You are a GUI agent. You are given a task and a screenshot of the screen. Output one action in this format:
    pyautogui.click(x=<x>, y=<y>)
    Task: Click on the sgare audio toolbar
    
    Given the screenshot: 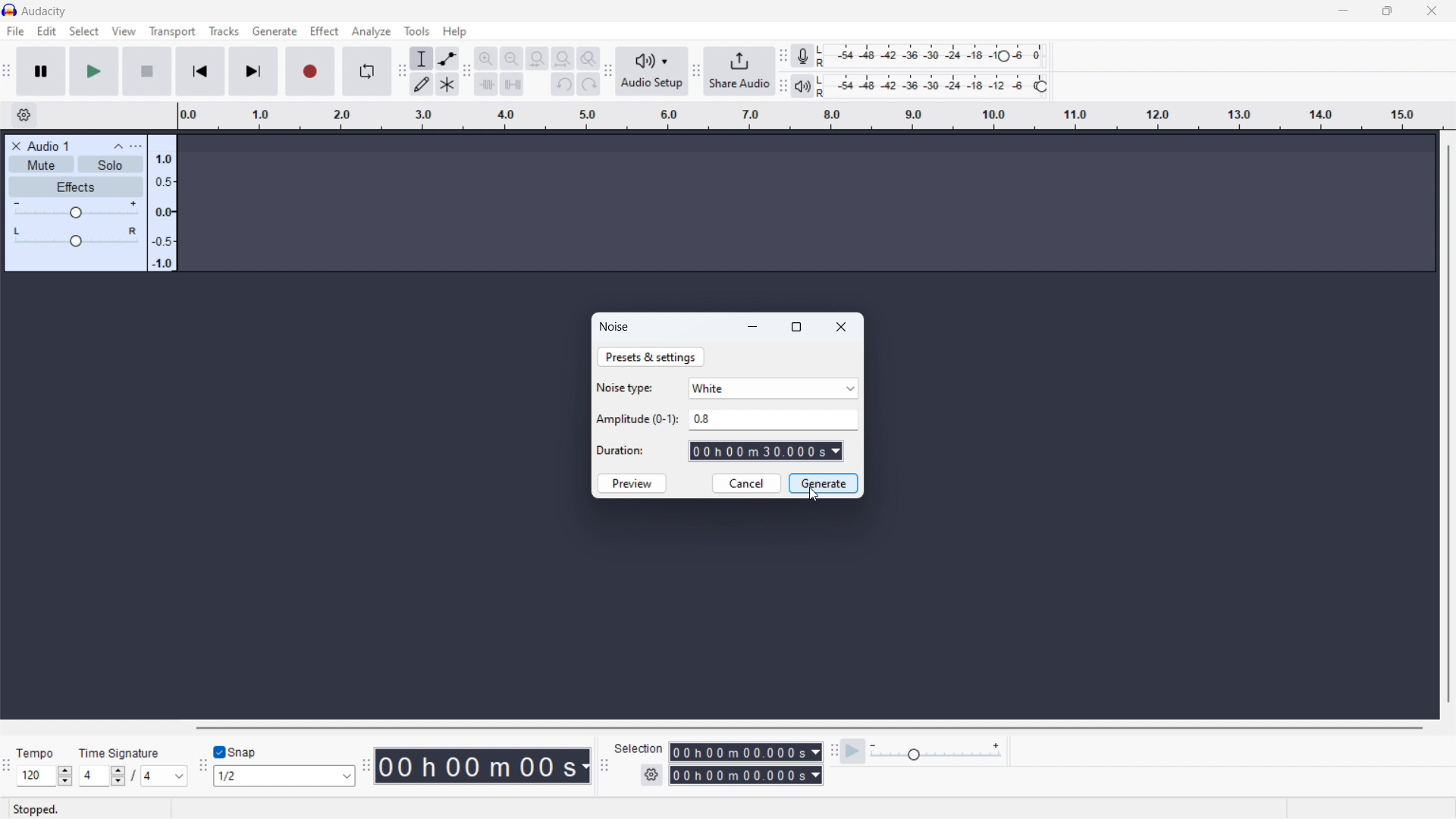 What is the action you would take?
    pyautogui.click(x=696, y=72)
    